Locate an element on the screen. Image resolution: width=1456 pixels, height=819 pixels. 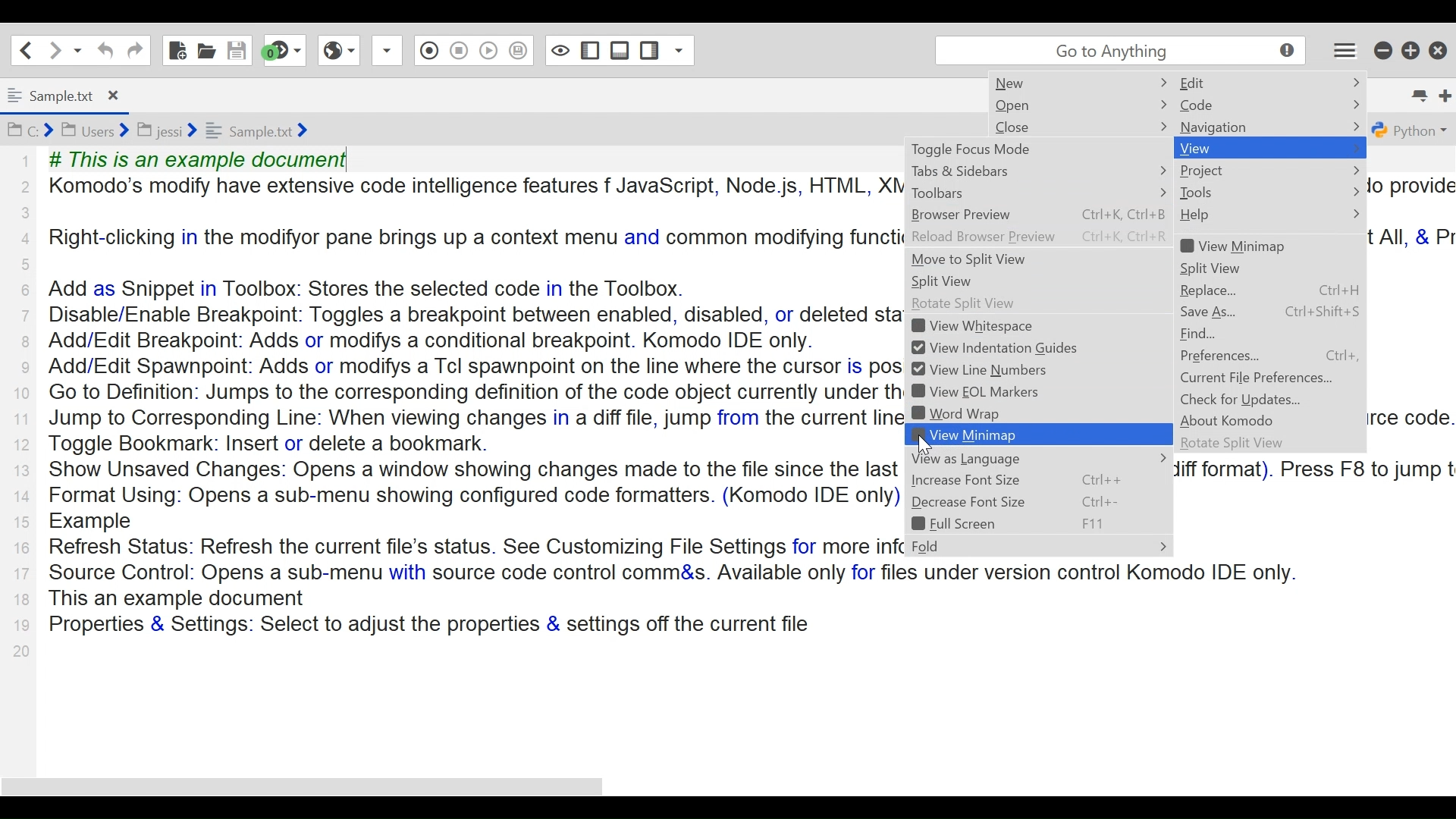
Split View is located at coordinates (1235, 268).